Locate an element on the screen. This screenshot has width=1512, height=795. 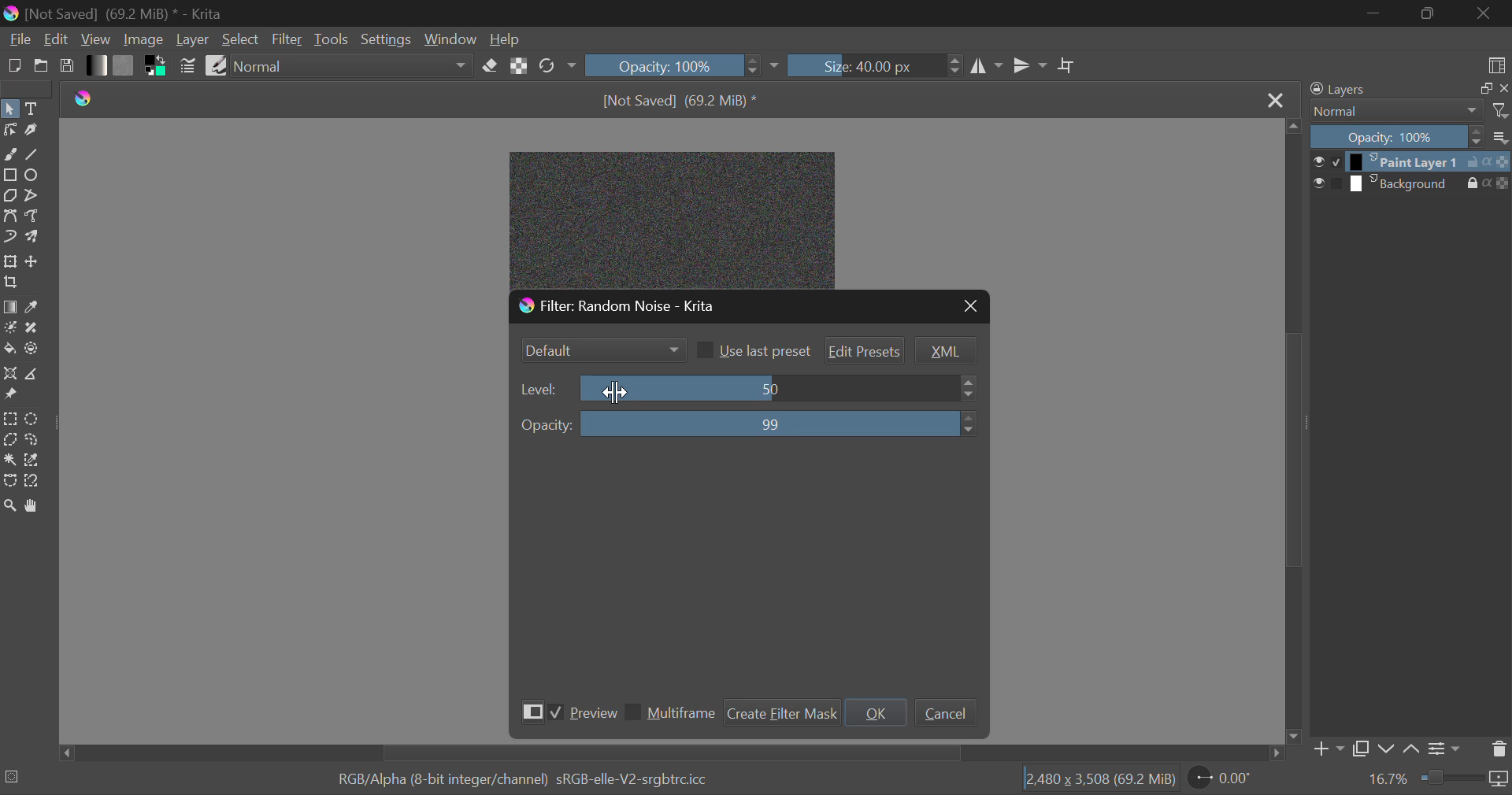
Save is located at coordinates (68, 67).